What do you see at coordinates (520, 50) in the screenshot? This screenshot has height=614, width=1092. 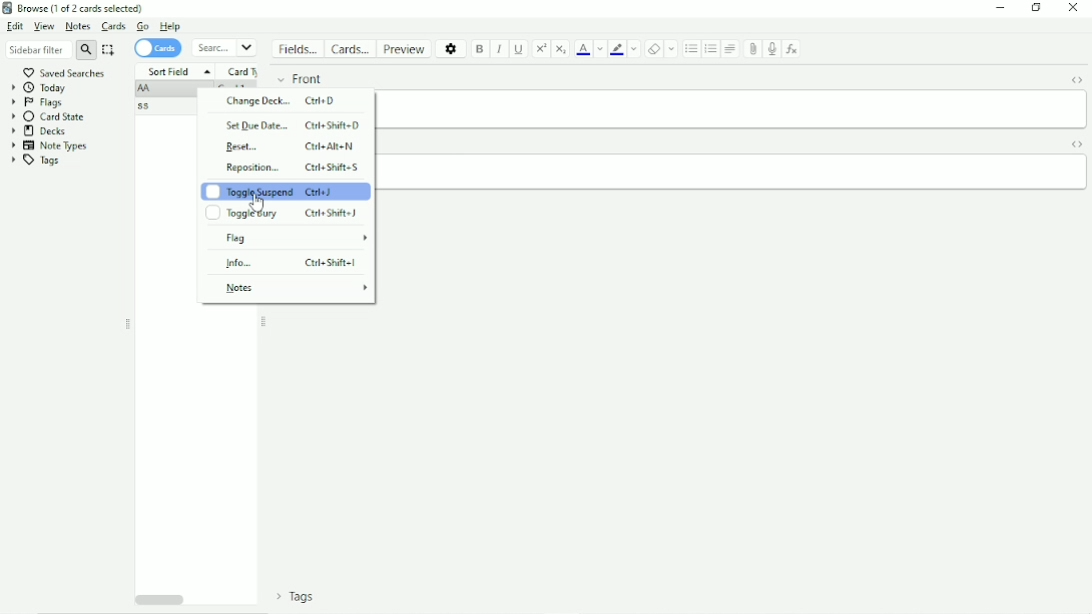 I see `Underline` at bounding box center [520, 50].